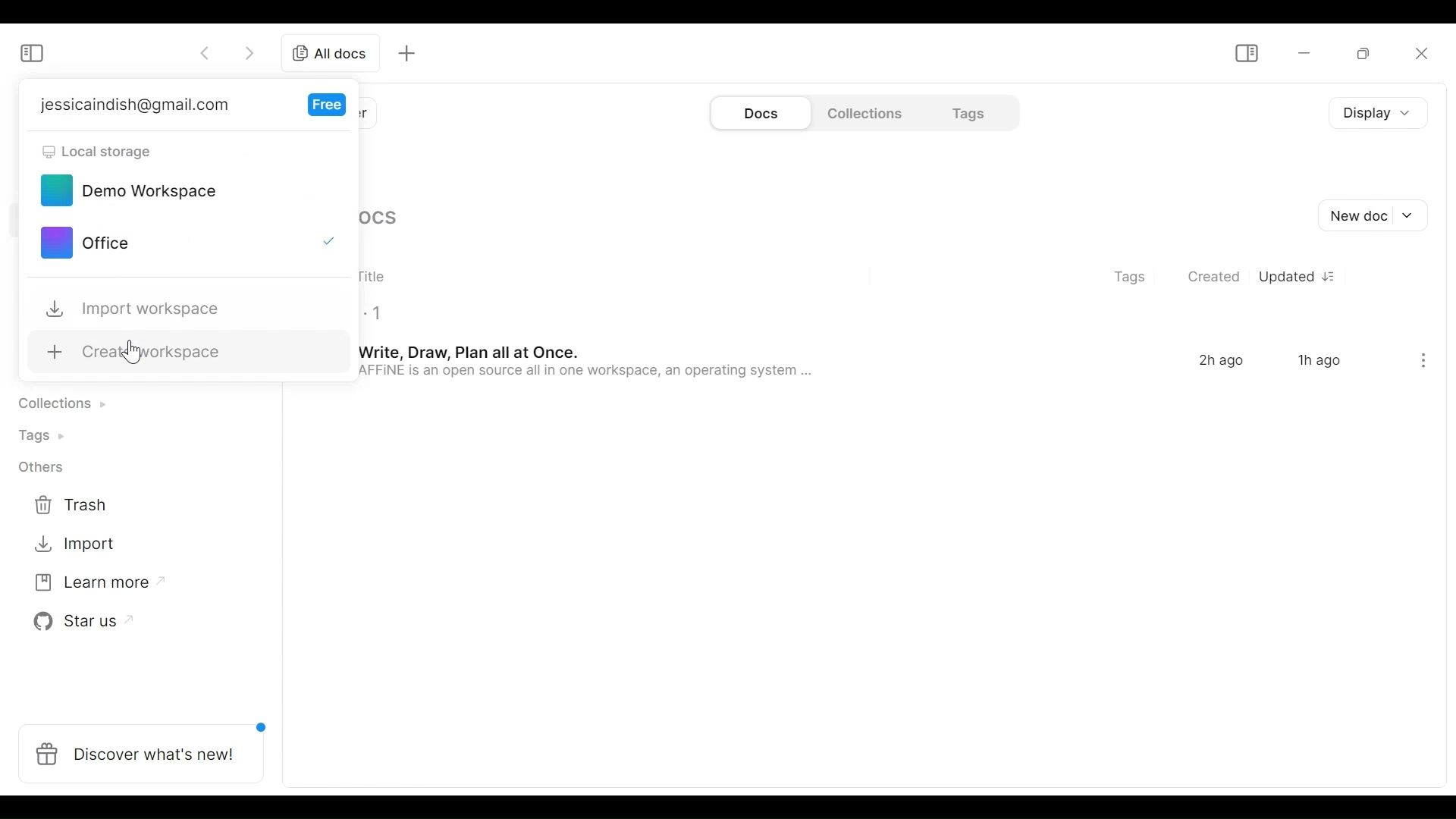 The image size is (1456, 819). What do you see at coordinates (39, 466) in the screenshot?
I see `Others` at bounding box center [39, 466].